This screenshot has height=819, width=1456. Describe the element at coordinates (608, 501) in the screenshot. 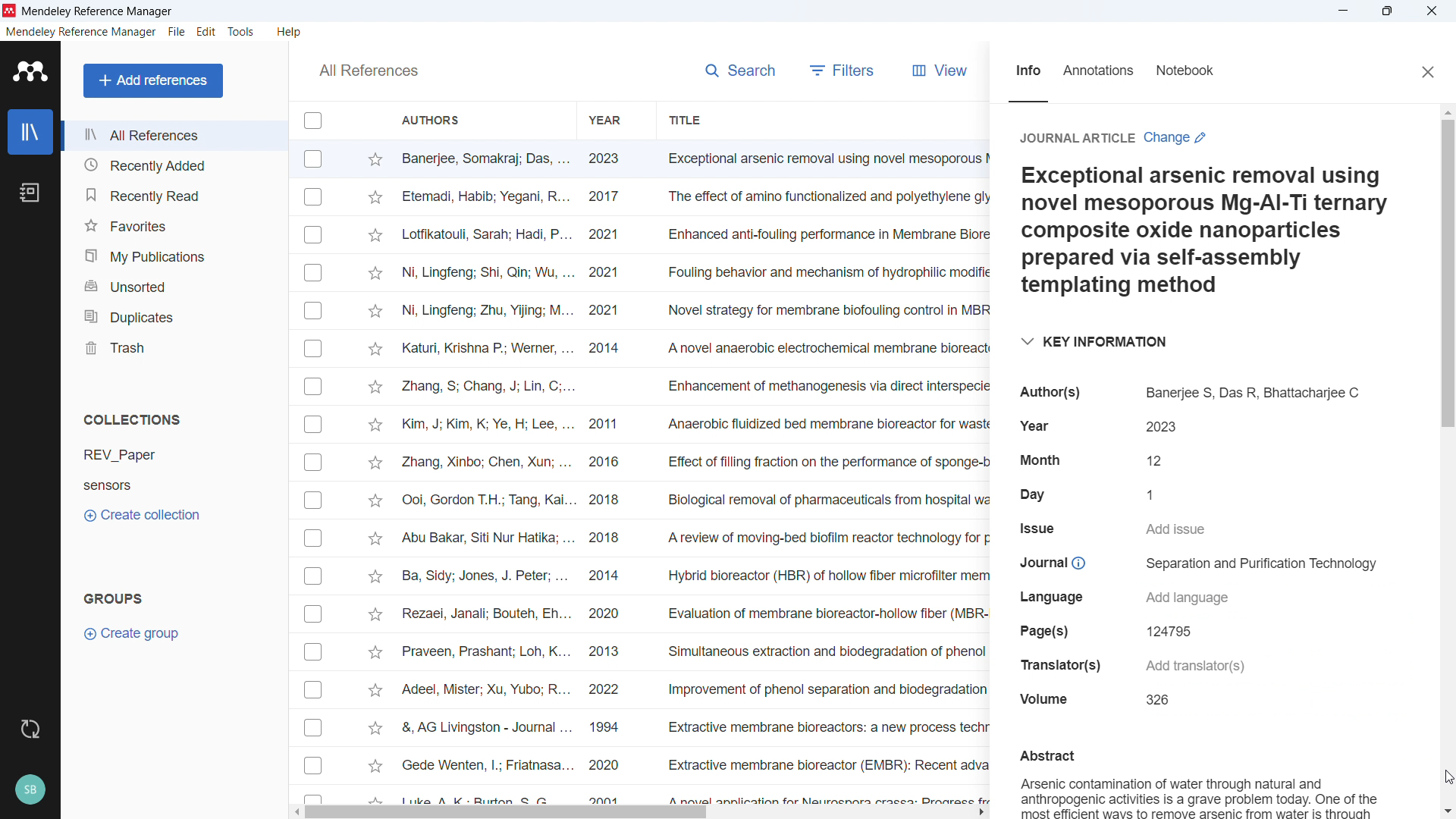

I see `2018` at that location.